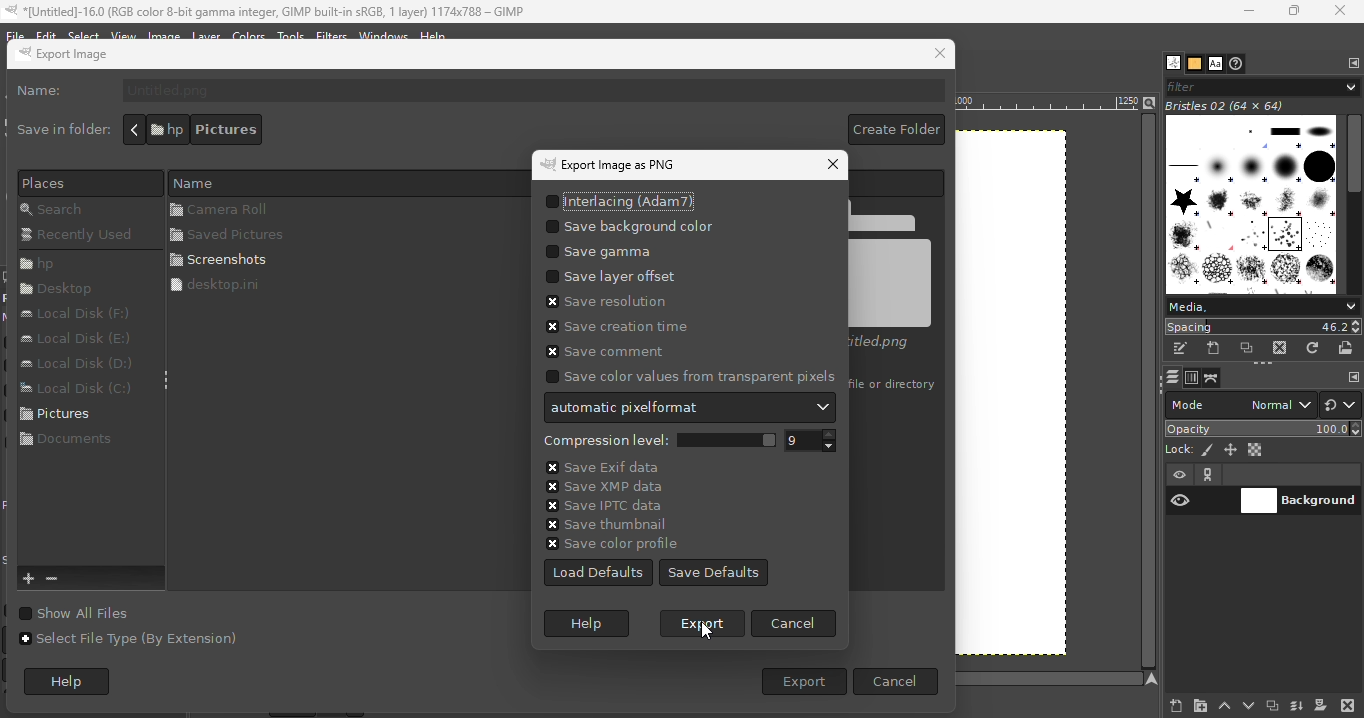  I want to click on Switch another group of modes, so click(1342, 404).